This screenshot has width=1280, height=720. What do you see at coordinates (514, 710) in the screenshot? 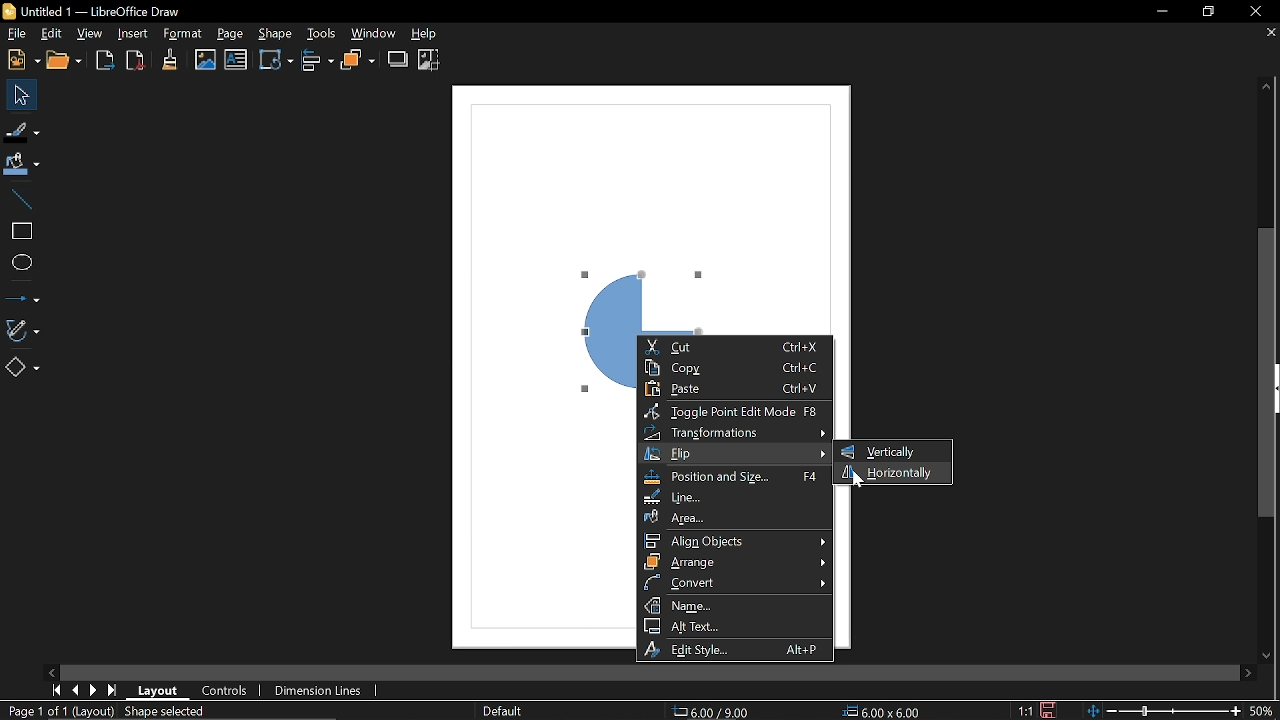
I see `SLide master name` at bounding box center [514, 710].